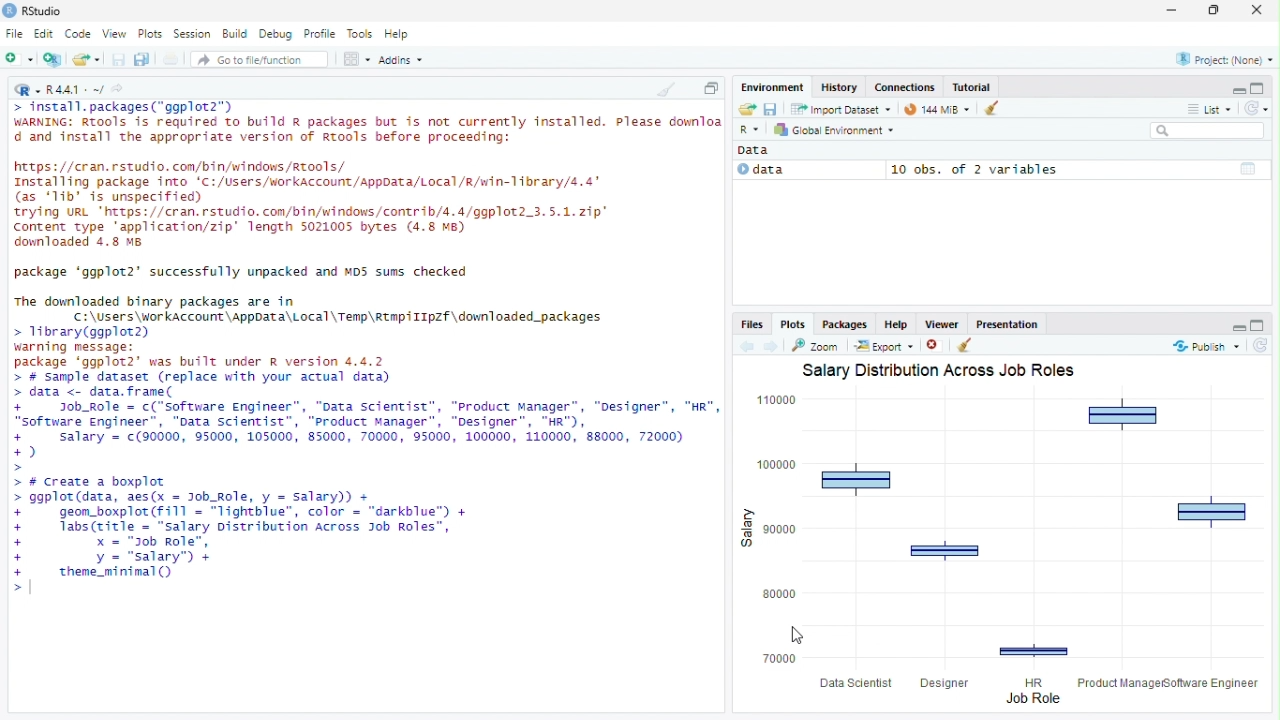  I want to click on Code, so click(78, 34).